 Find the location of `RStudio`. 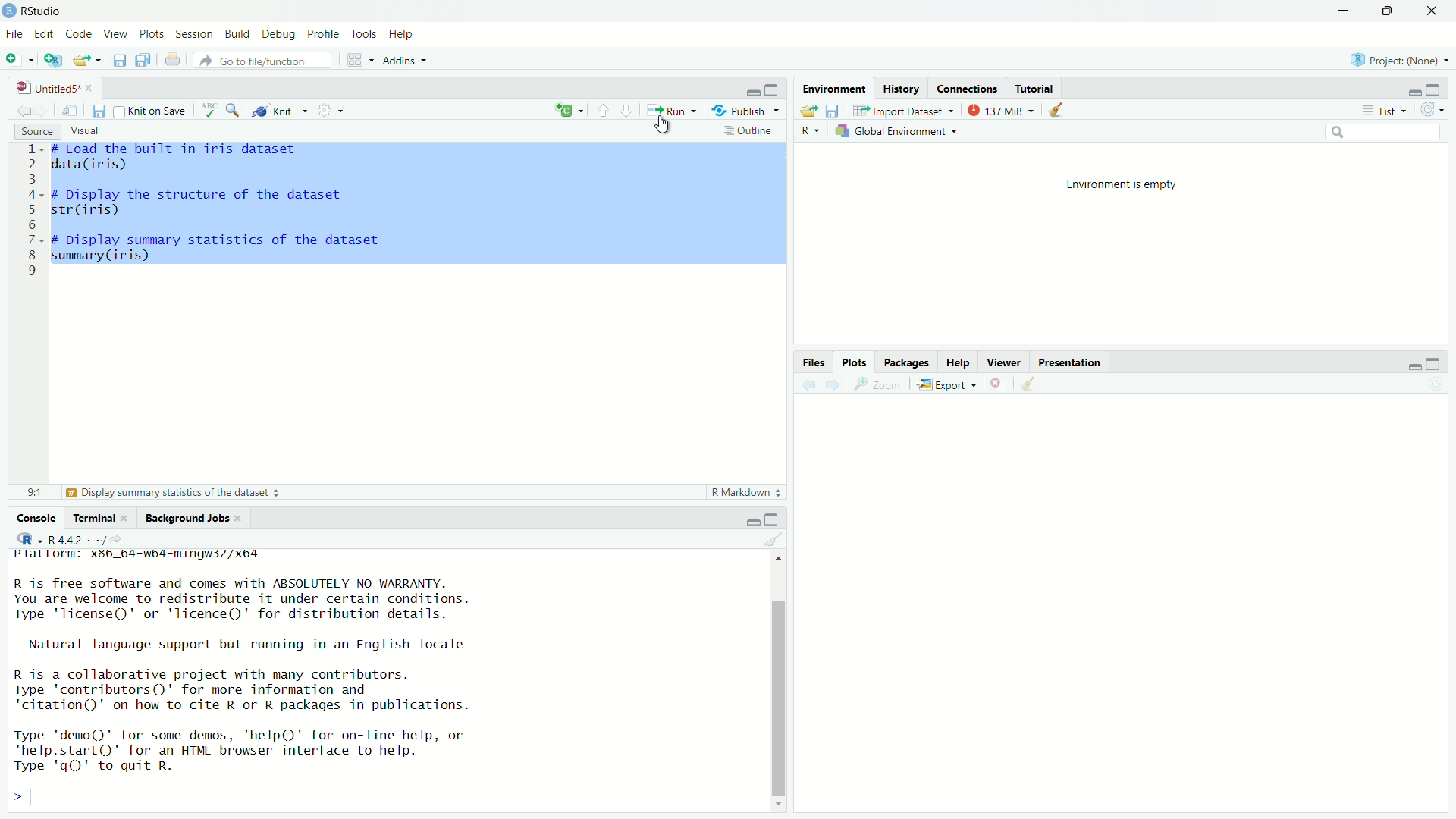

RStudio is located at coordinates (33, 11).